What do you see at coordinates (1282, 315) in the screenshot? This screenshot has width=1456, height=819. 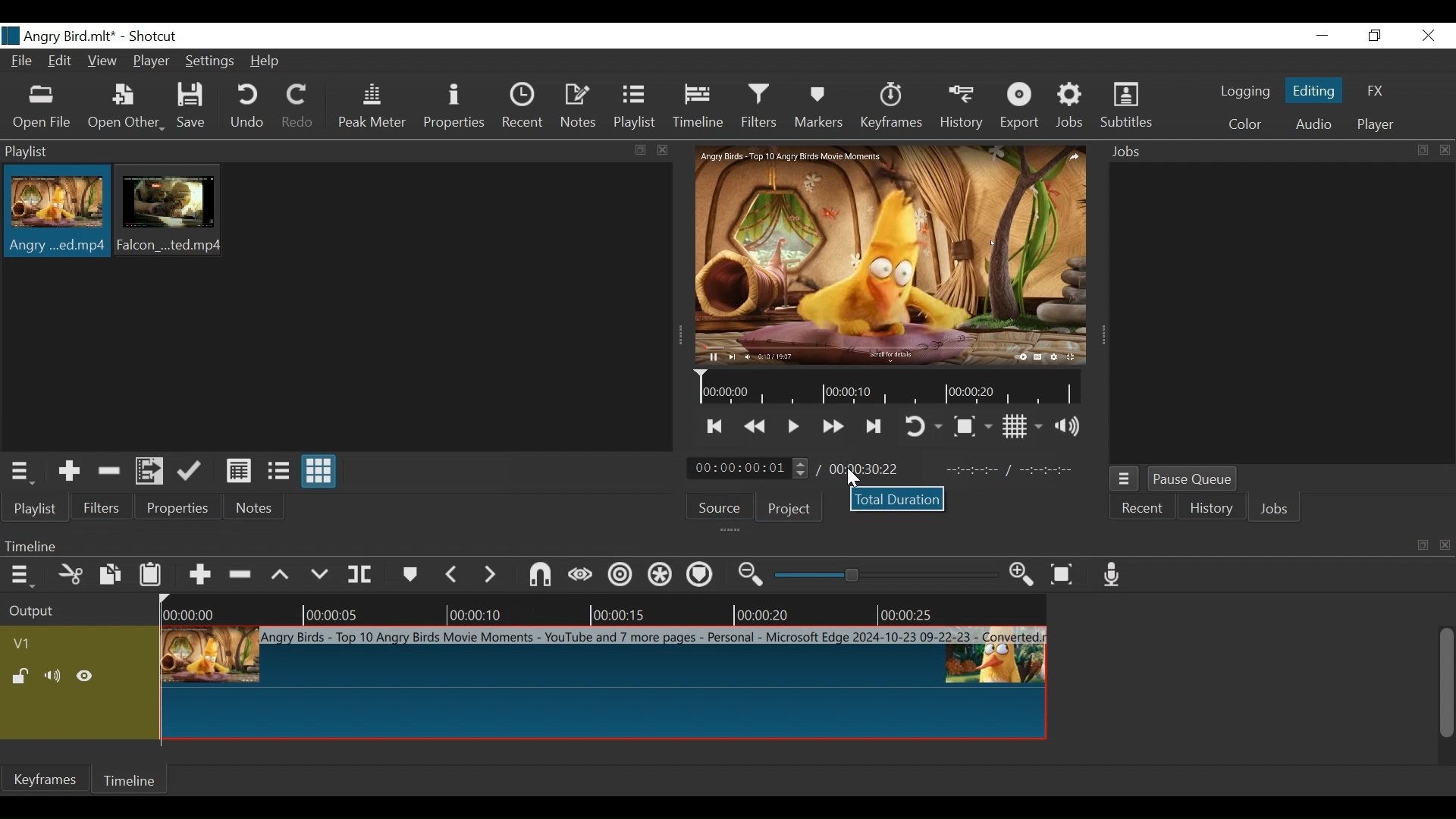 I see `Jobs Panel` at bounding box center [1282, 315].